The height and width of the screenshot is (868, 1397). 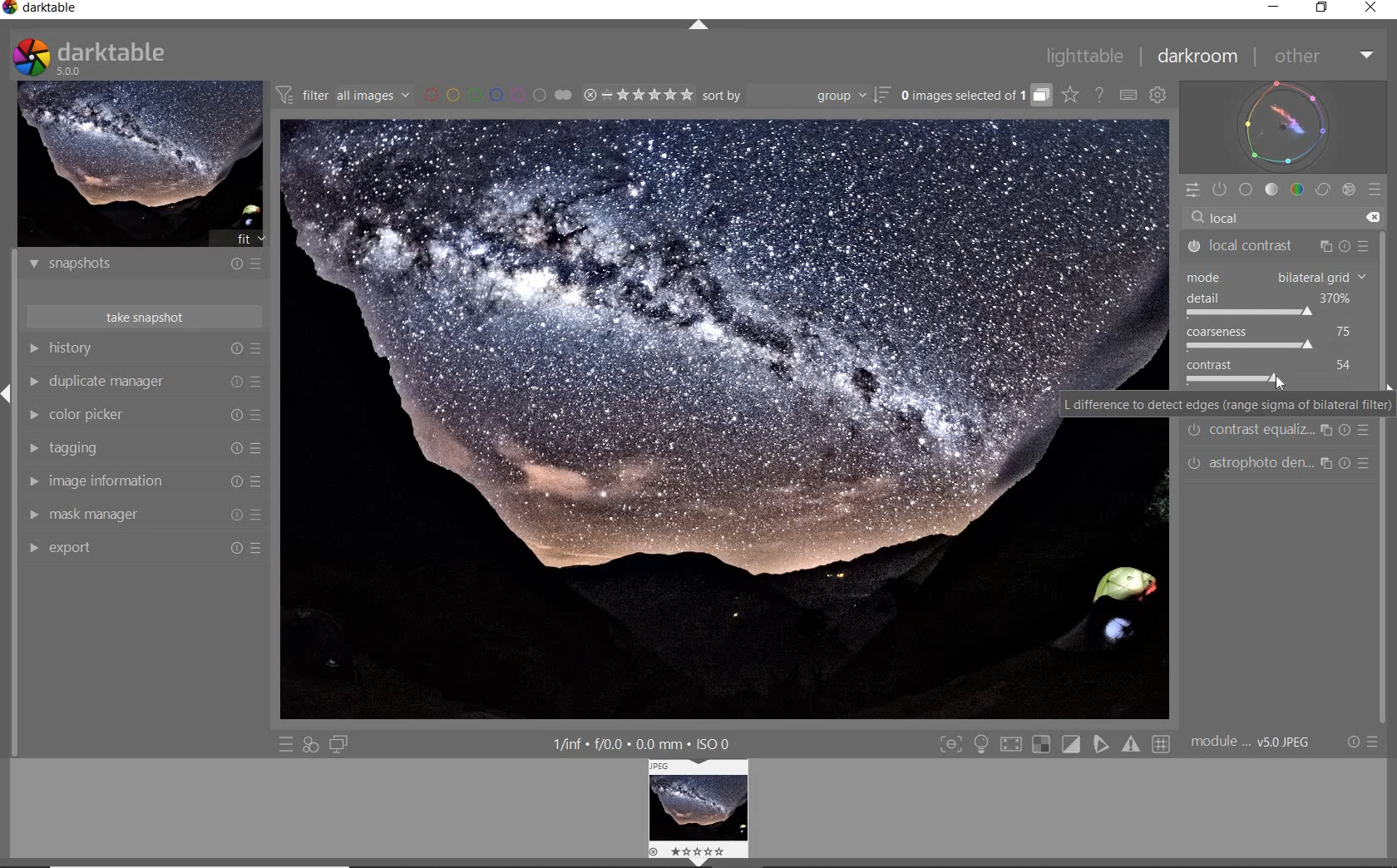 I want to click on DARKROOM, so click(x=1204, y=58).